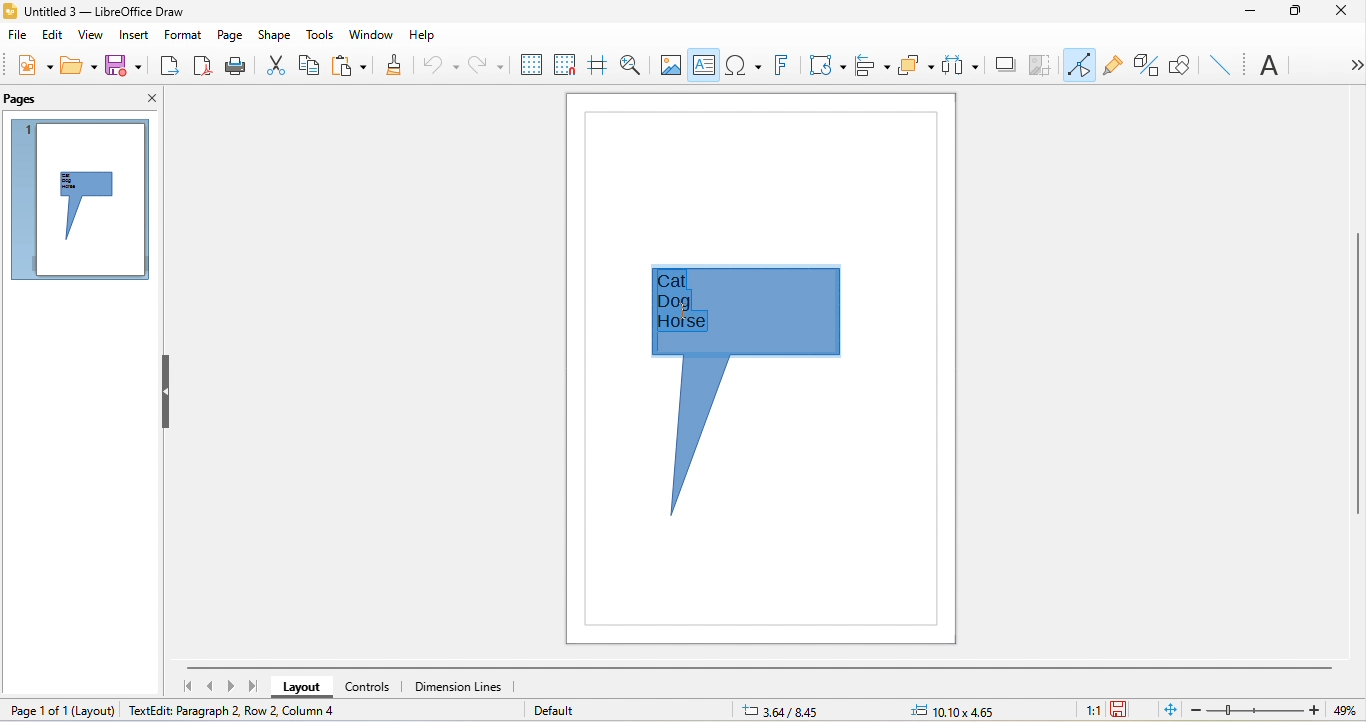  Describe the element at coordinates (1351, 65) in the screenshot. I see `option` at that location.